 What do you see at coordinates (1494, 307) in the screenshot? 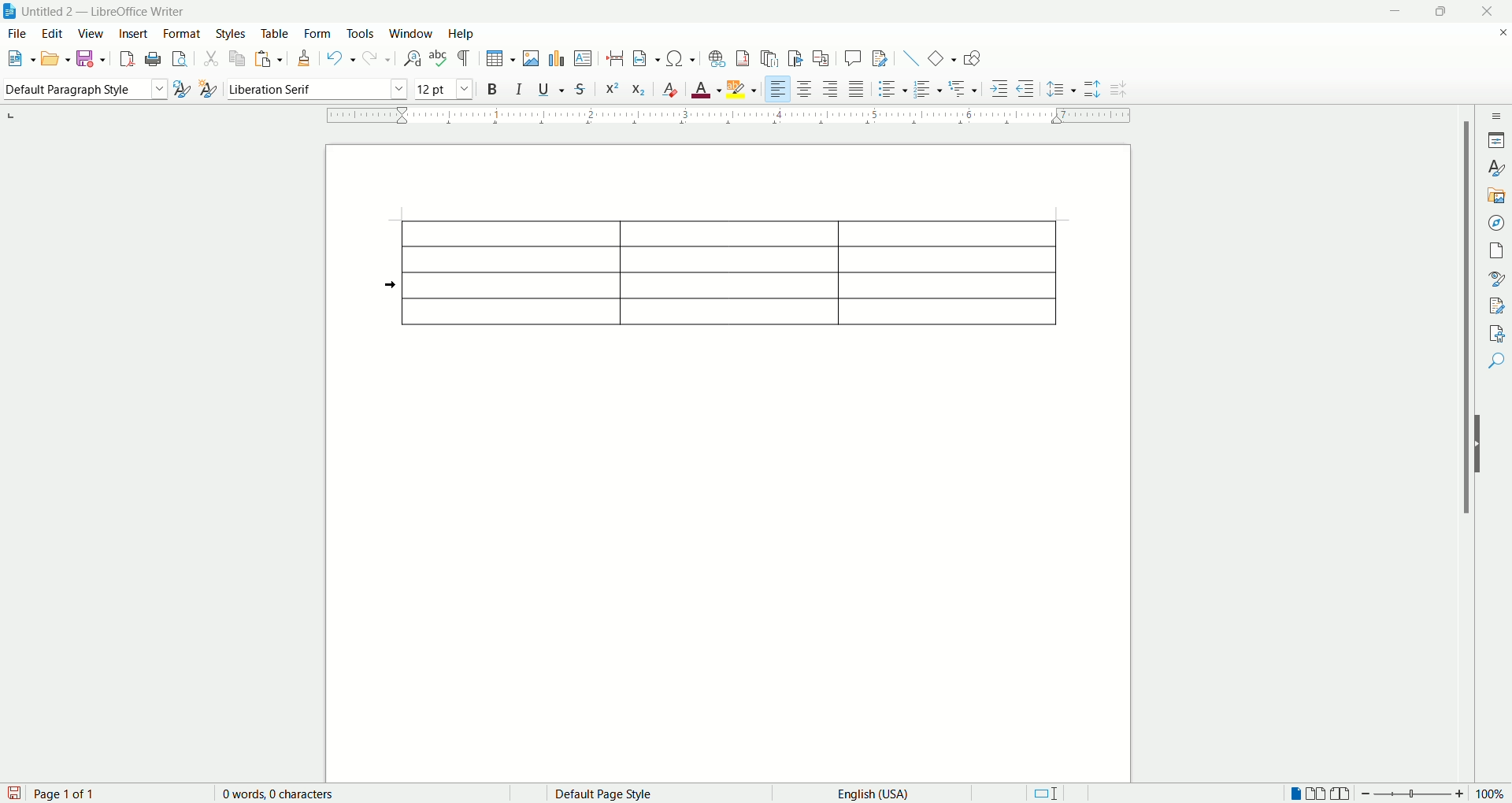
I see `manage changes` at bounding box center [1494, 307].